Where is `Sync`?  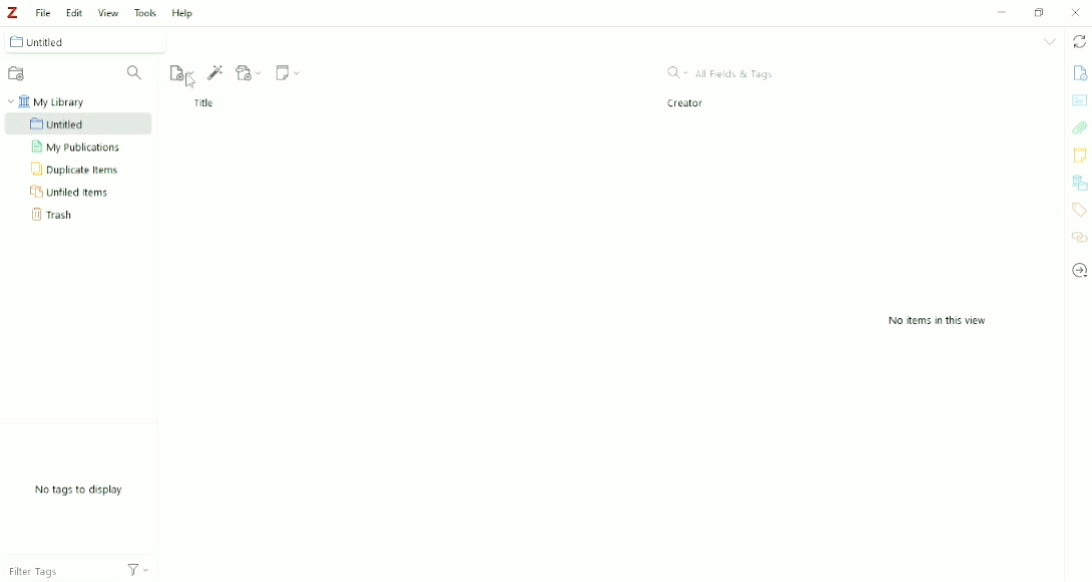
Sync is located at coordinates (1078, 41).